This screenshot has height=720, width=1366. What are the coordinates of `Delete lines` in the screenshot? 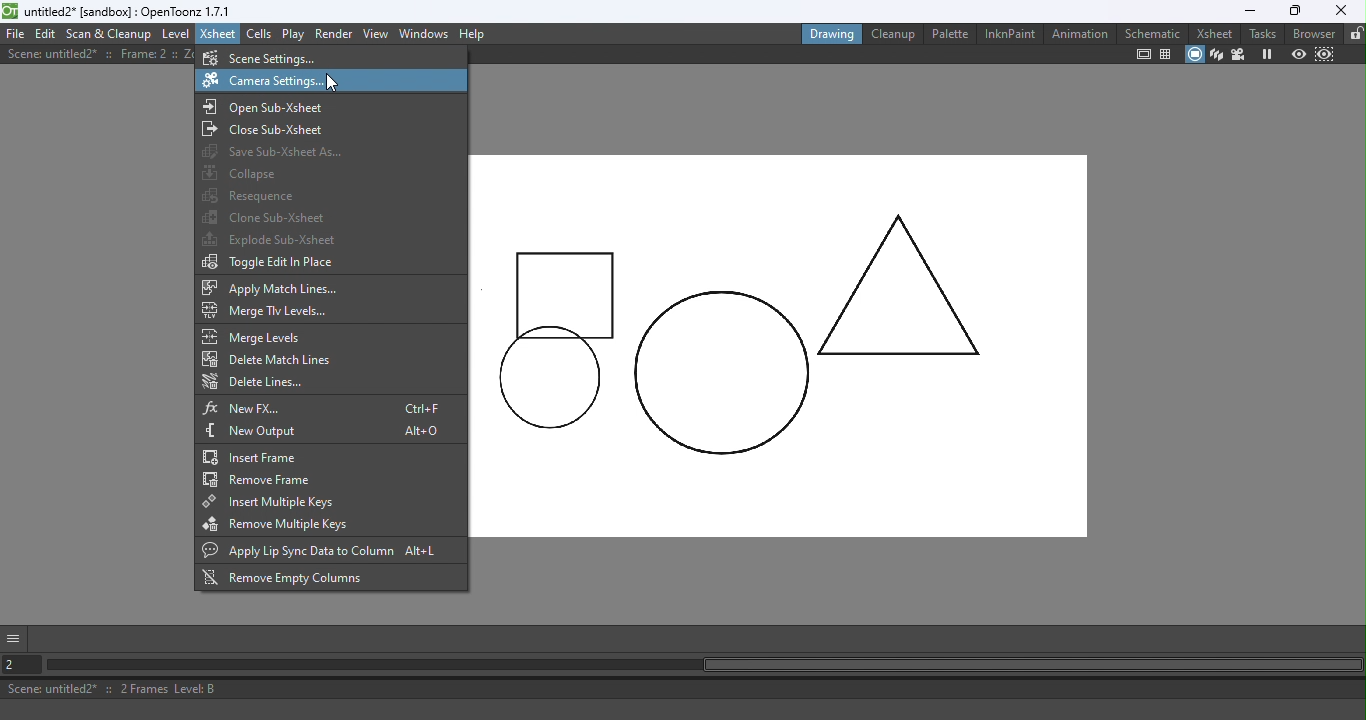 It's located at (259, 383).